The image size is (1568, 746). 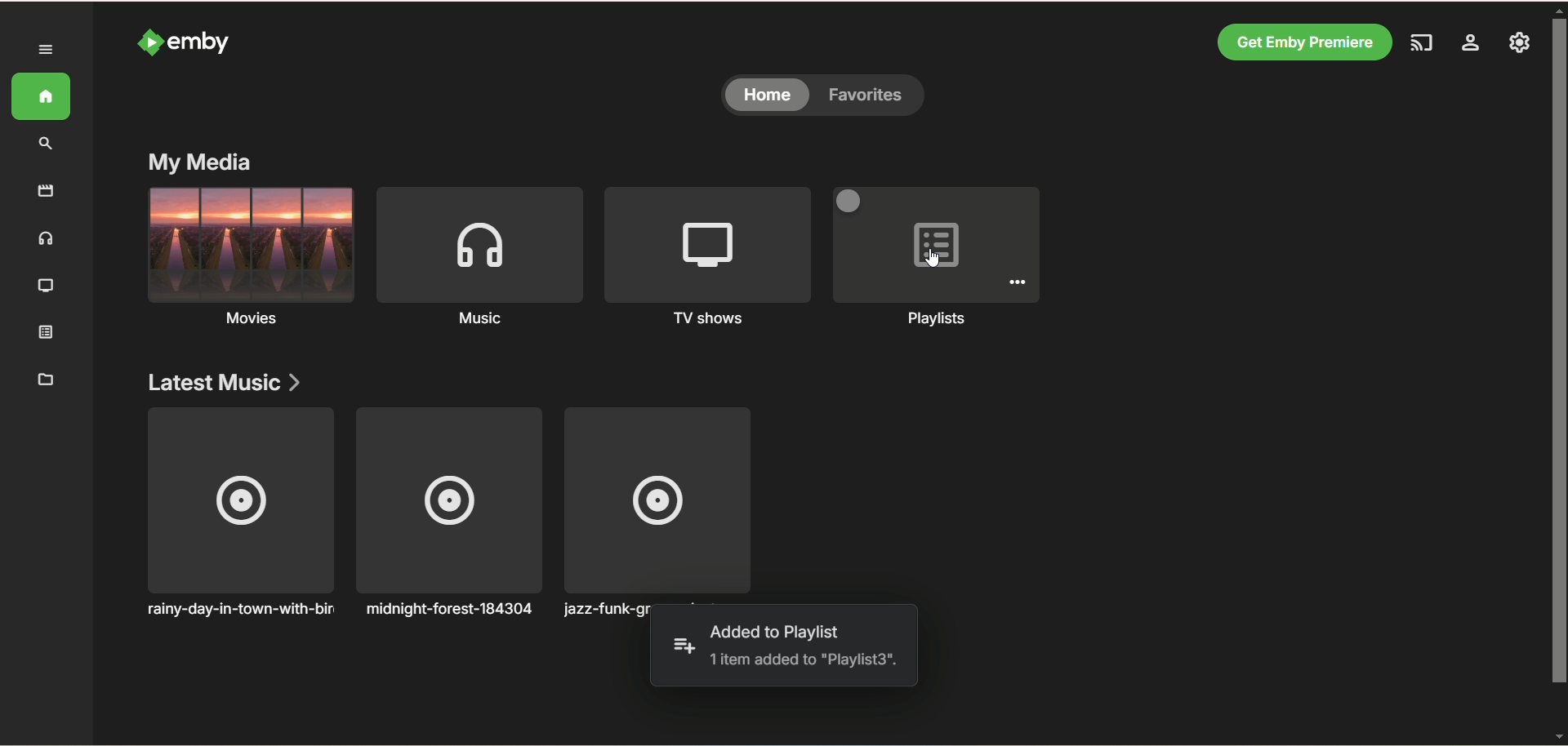 I want to click on Music, so click(x=478, y=262).